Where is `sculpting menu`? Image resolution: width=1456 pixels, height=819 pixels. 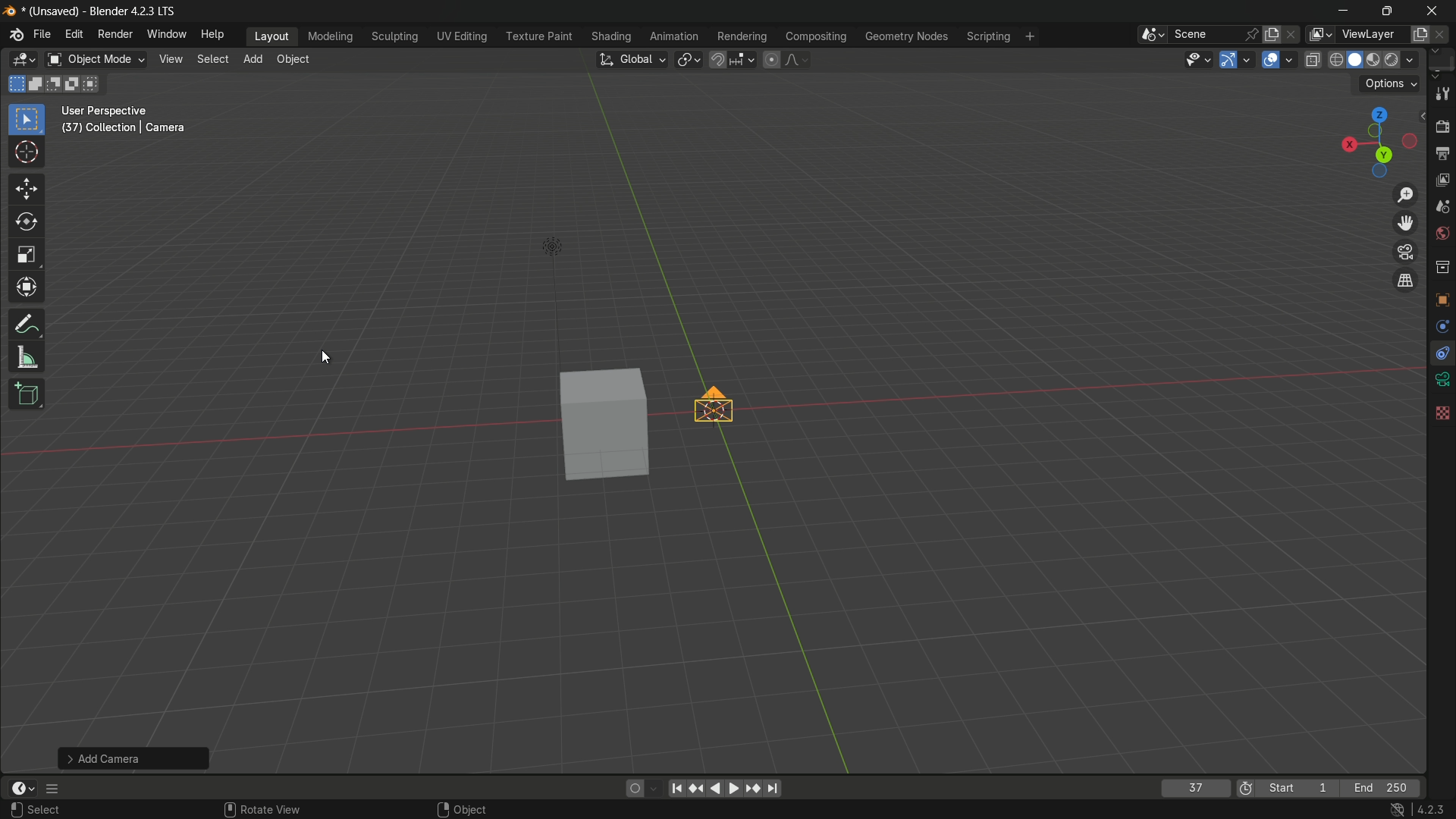 sculpting menu is located at coordinates (397, 36).